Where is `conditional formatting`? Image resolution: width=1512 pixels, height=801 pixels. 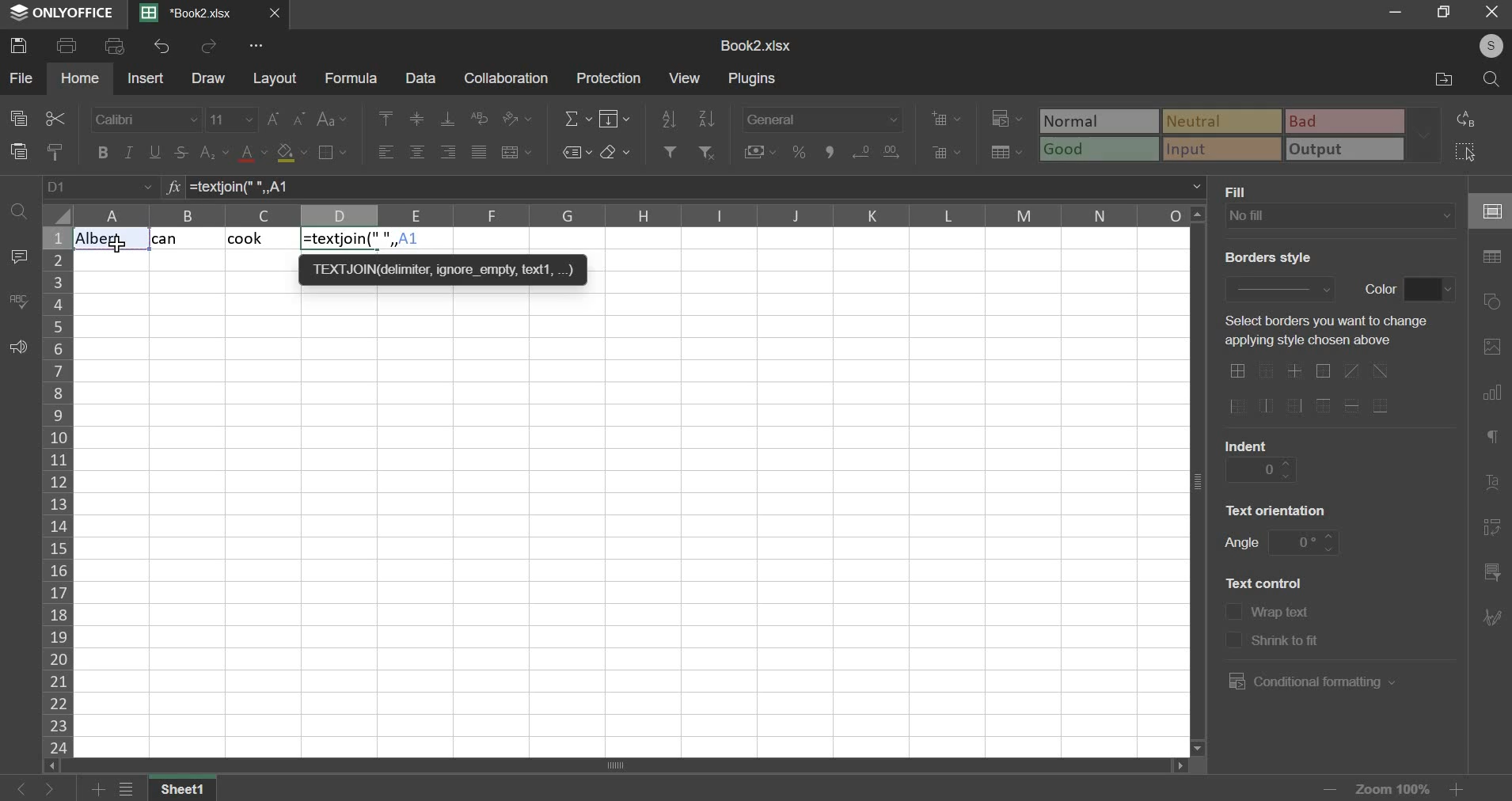 conditional formatting is located at coordinates (1309, 681).